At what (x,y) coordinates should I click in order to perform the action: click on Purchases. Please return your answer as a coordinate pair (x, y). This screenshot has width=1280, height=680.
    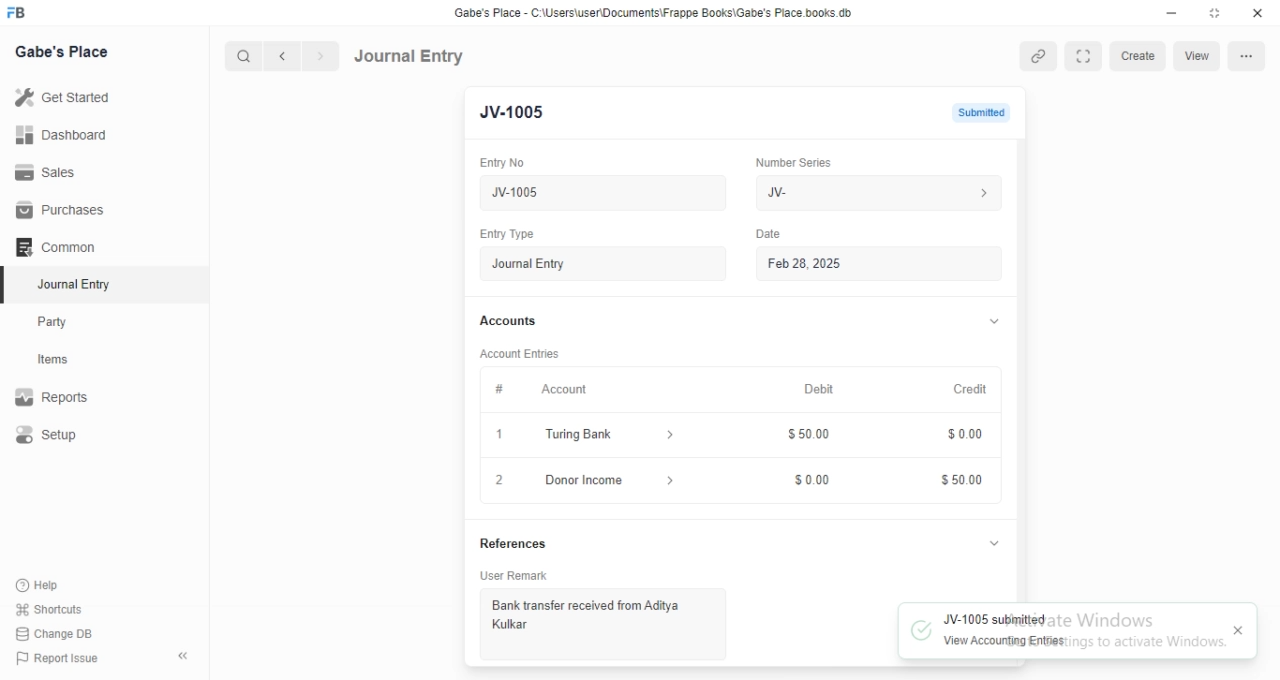
    Looking at the image, I should click on (63, 210).